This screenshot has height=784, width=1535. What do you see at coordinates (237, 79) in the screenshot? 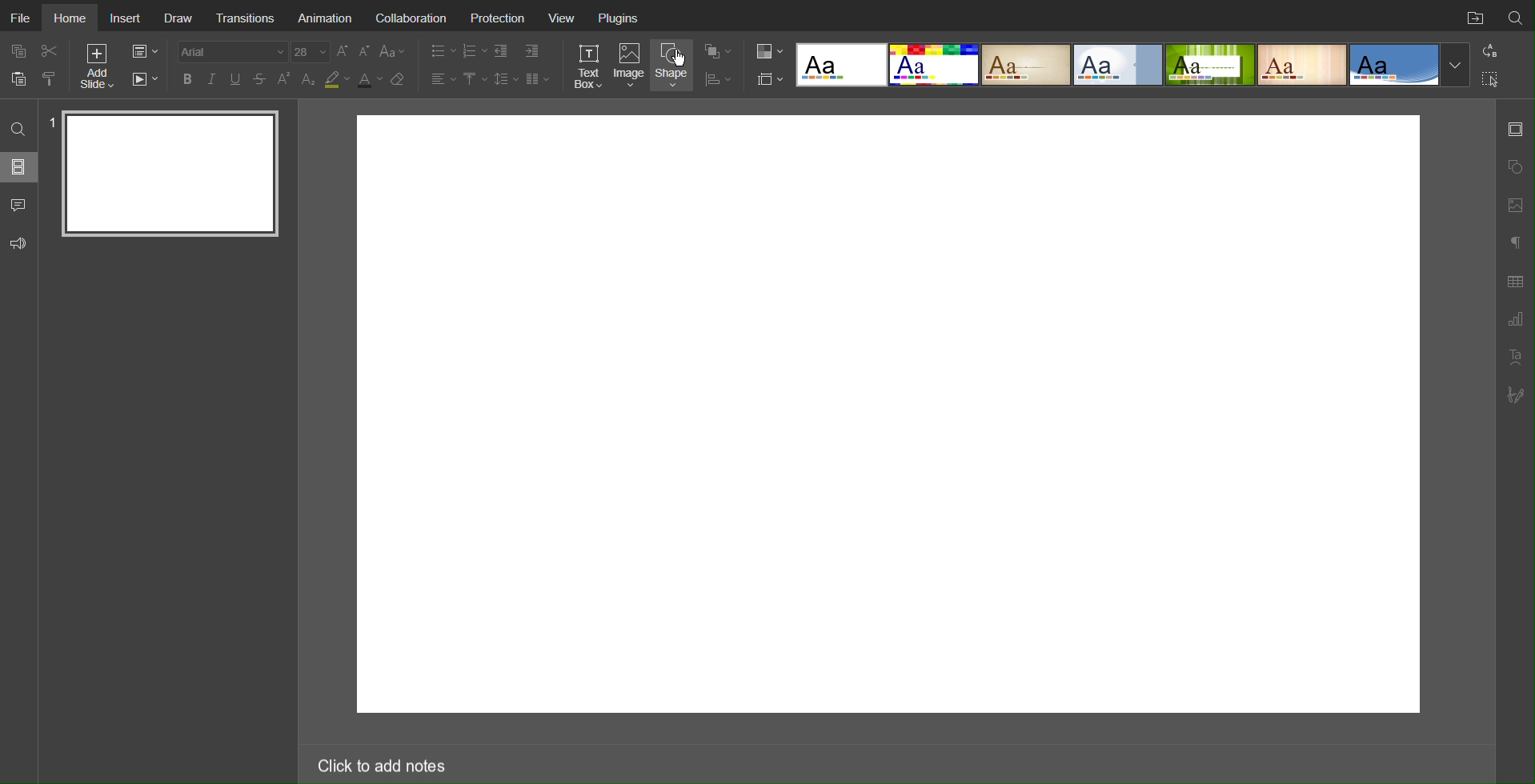
I see `Underline` at bounding box center [237, 79].